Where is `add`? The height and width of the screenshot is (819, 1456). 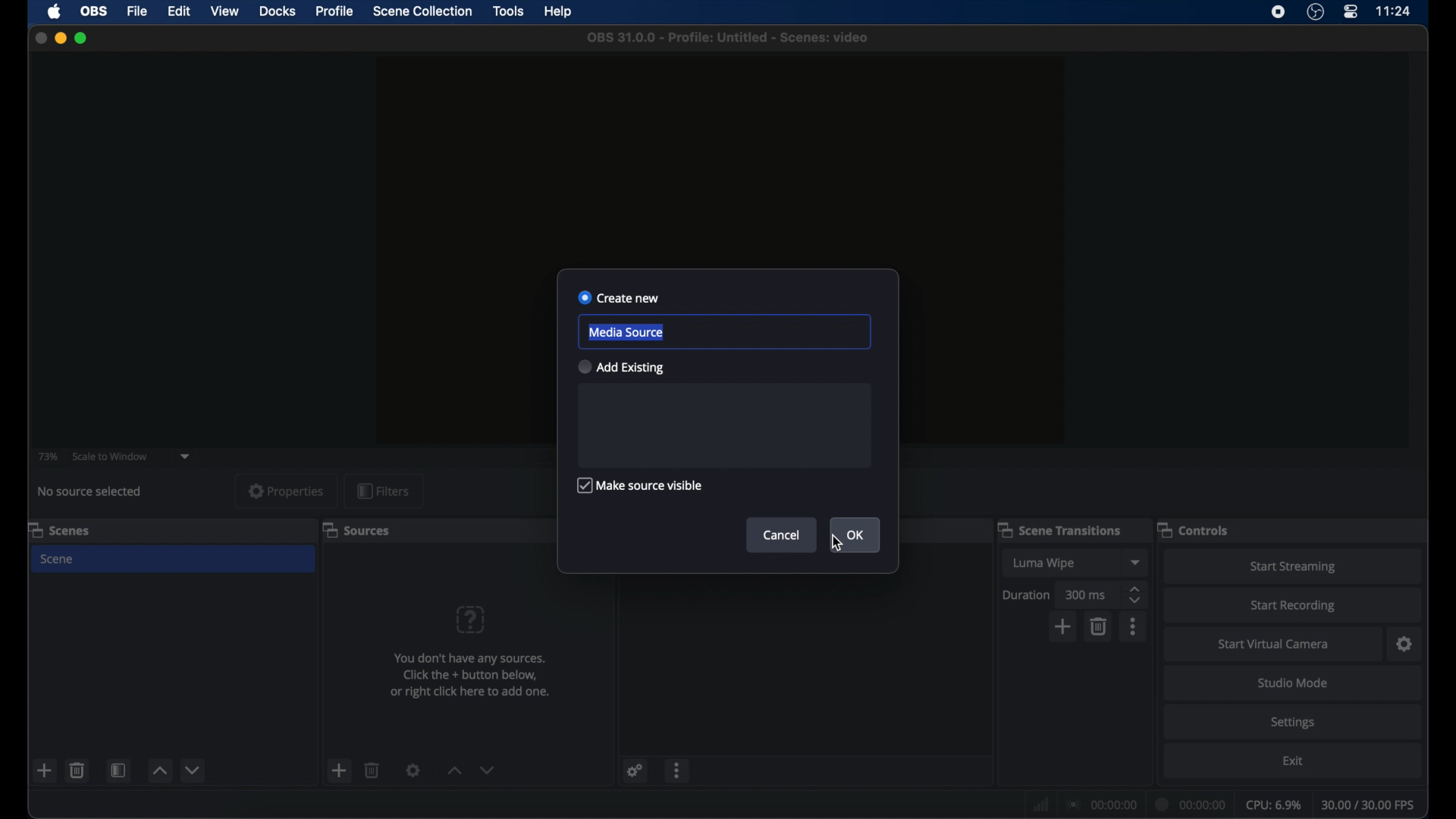
add is located at coordinates (337, 770).